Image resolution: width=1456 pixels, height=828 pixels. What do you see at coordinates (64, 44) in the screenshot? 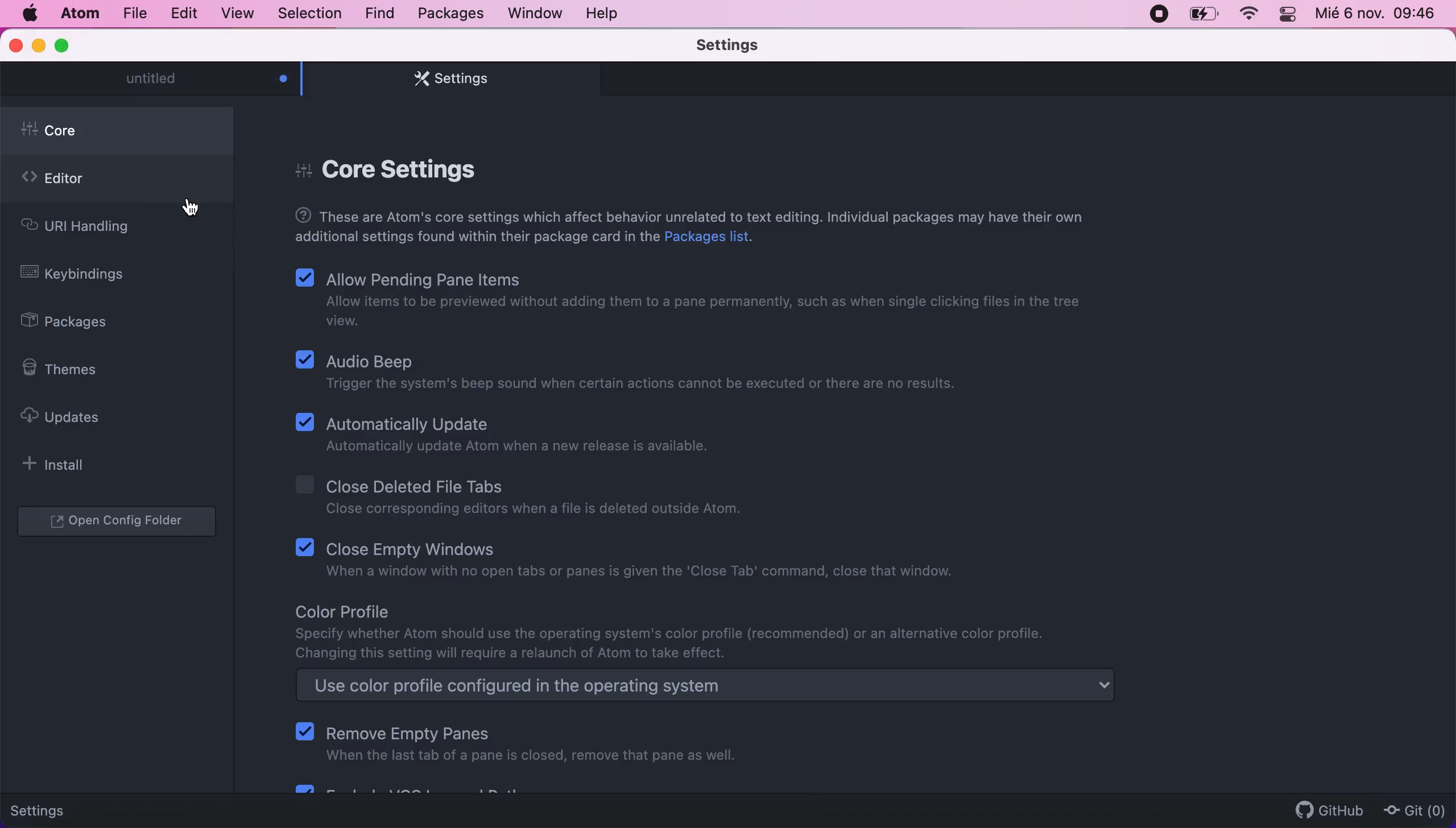
I see `maximize` at bounding box center [64, 44].